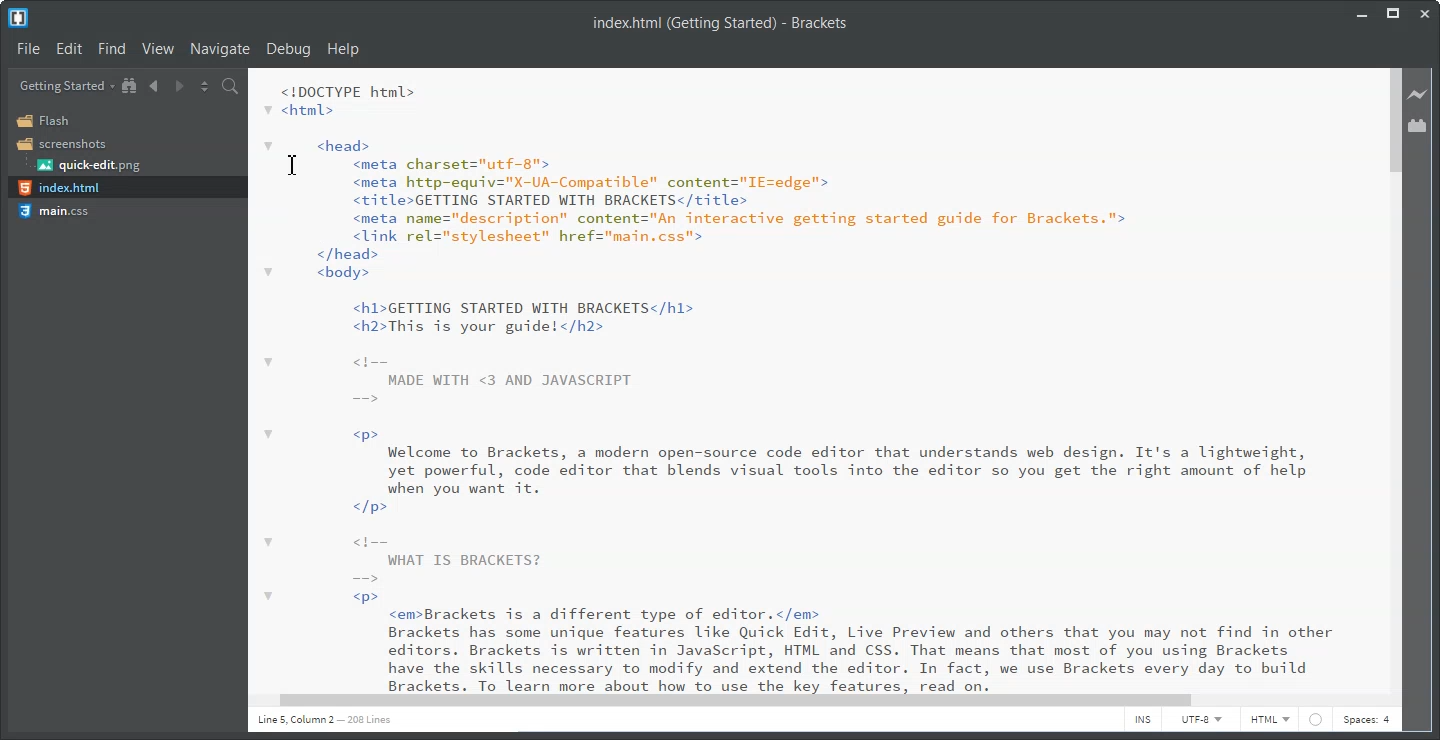 The image size is (1440, 740). Describe the element at coordinates (179, 86) in the screenshot. I see `Navigate Forward` at that location.